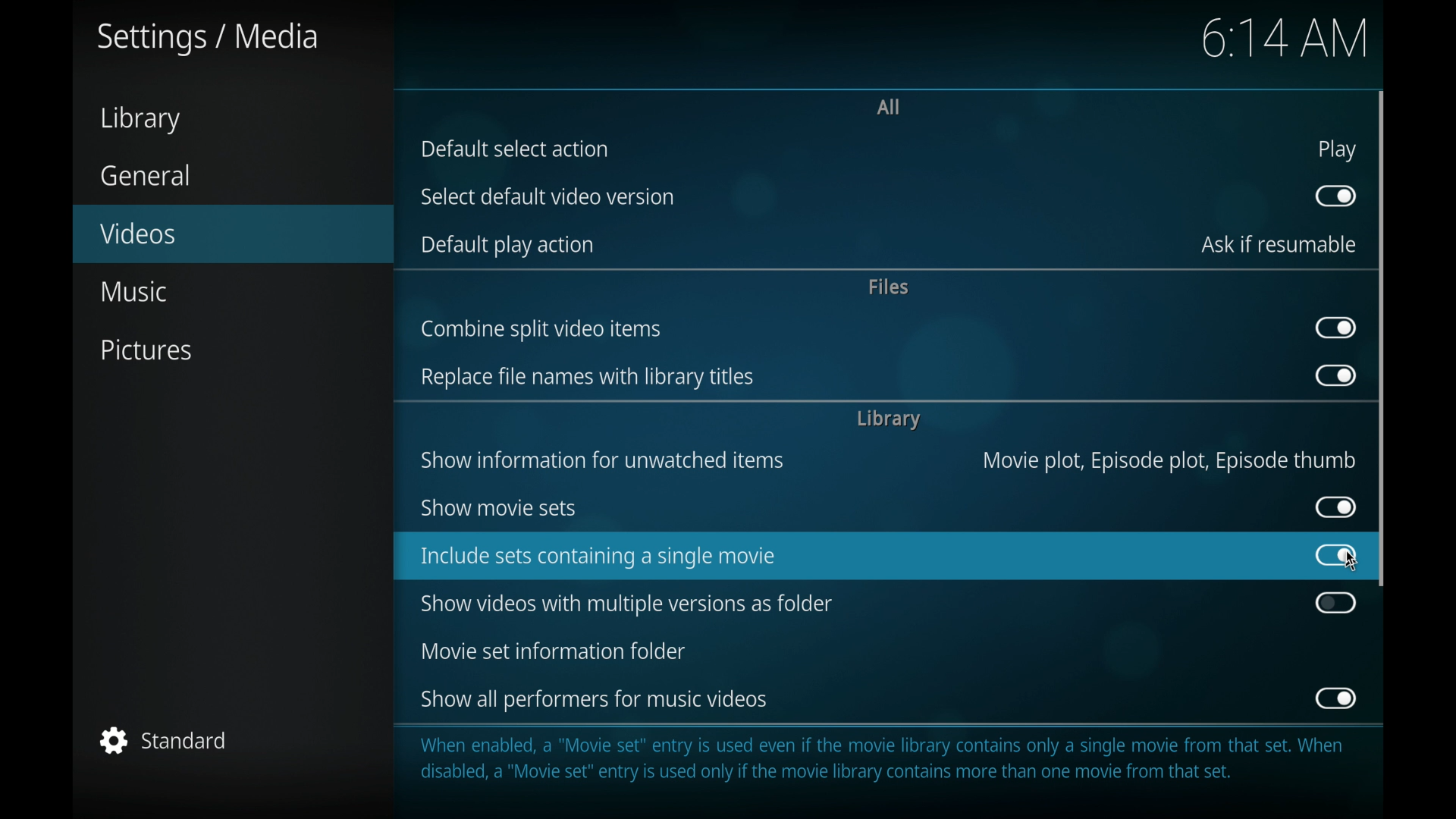 The image size is (1456, 819). Describe the element at coordinates (552, 651) in the screenshot. I see `movie set information folder` at that location.